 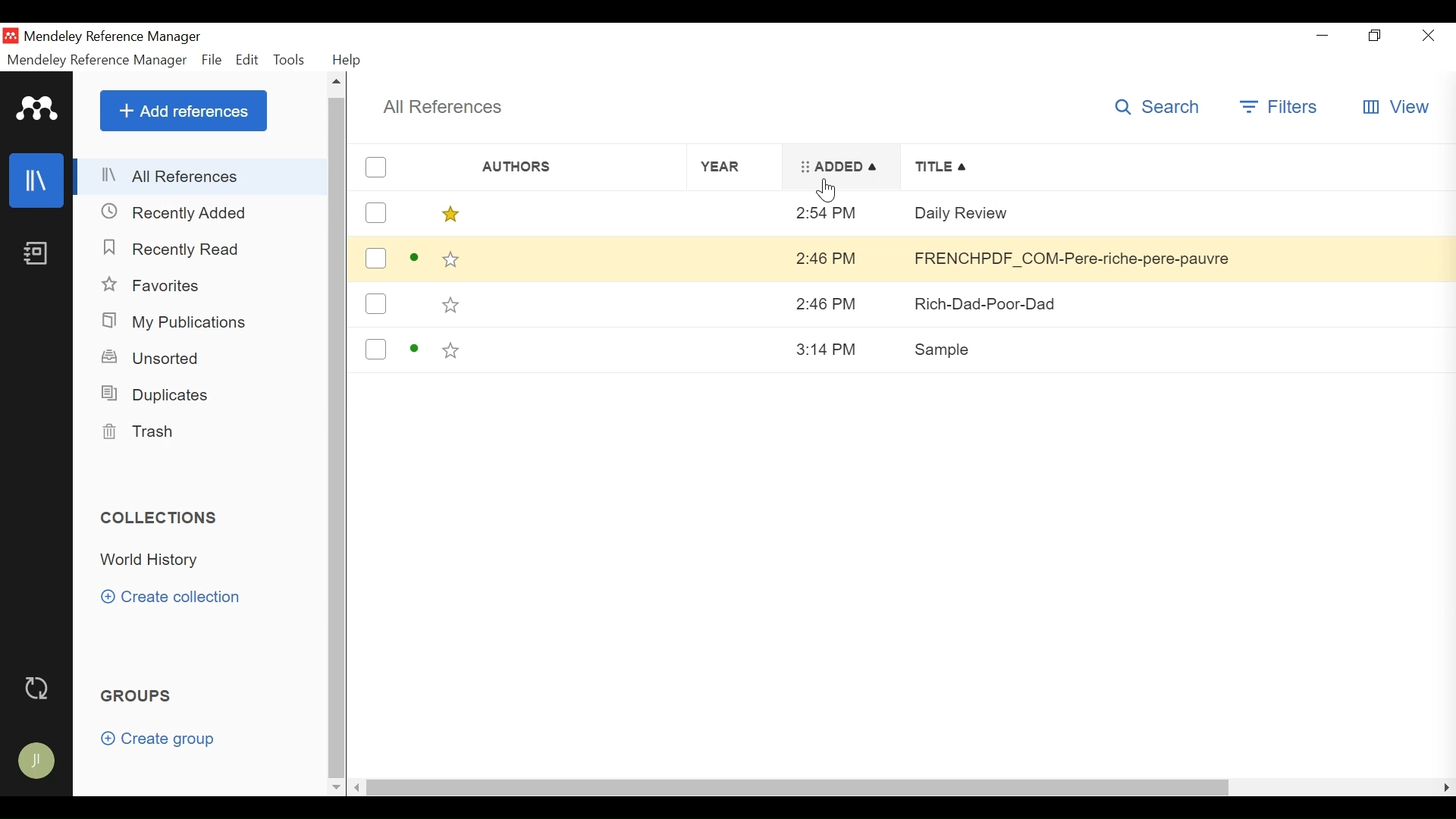 What do you see at coordinates (98, 60) in the screenshot?
I see `Mendeley Reference Manager` at bounding box center [98, 60].